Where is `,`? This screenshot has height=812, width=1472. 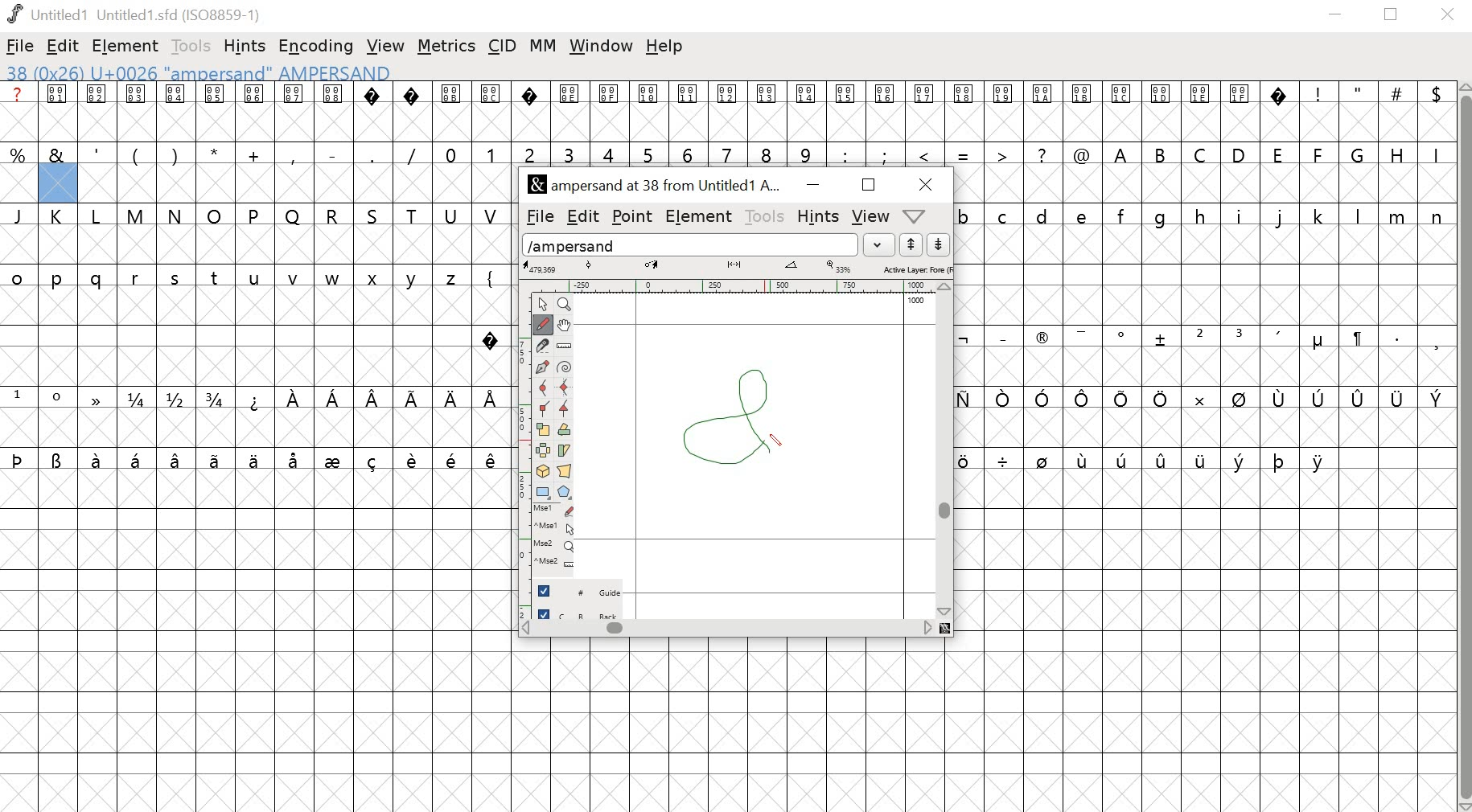
, is located at coordinates (1436, 342).